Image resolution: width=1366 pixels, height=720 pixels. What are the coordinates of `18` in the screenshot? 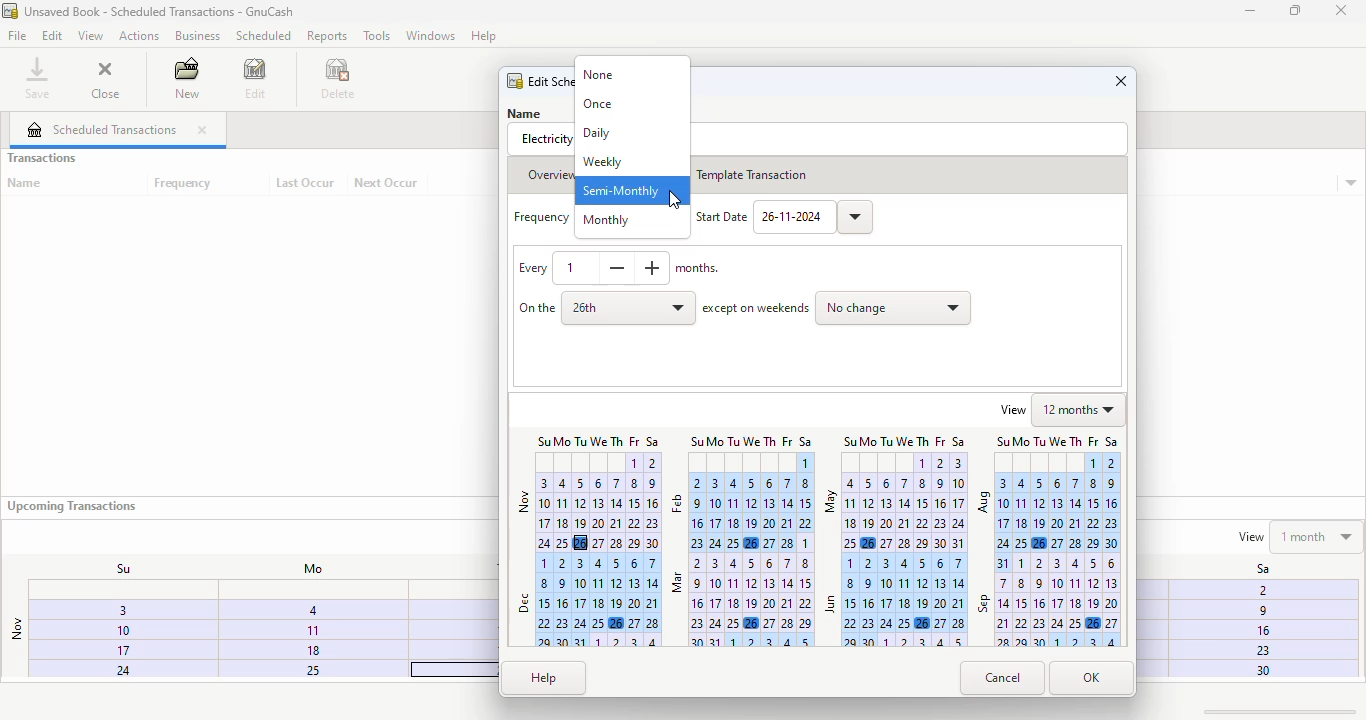 It's located at (313, 649).